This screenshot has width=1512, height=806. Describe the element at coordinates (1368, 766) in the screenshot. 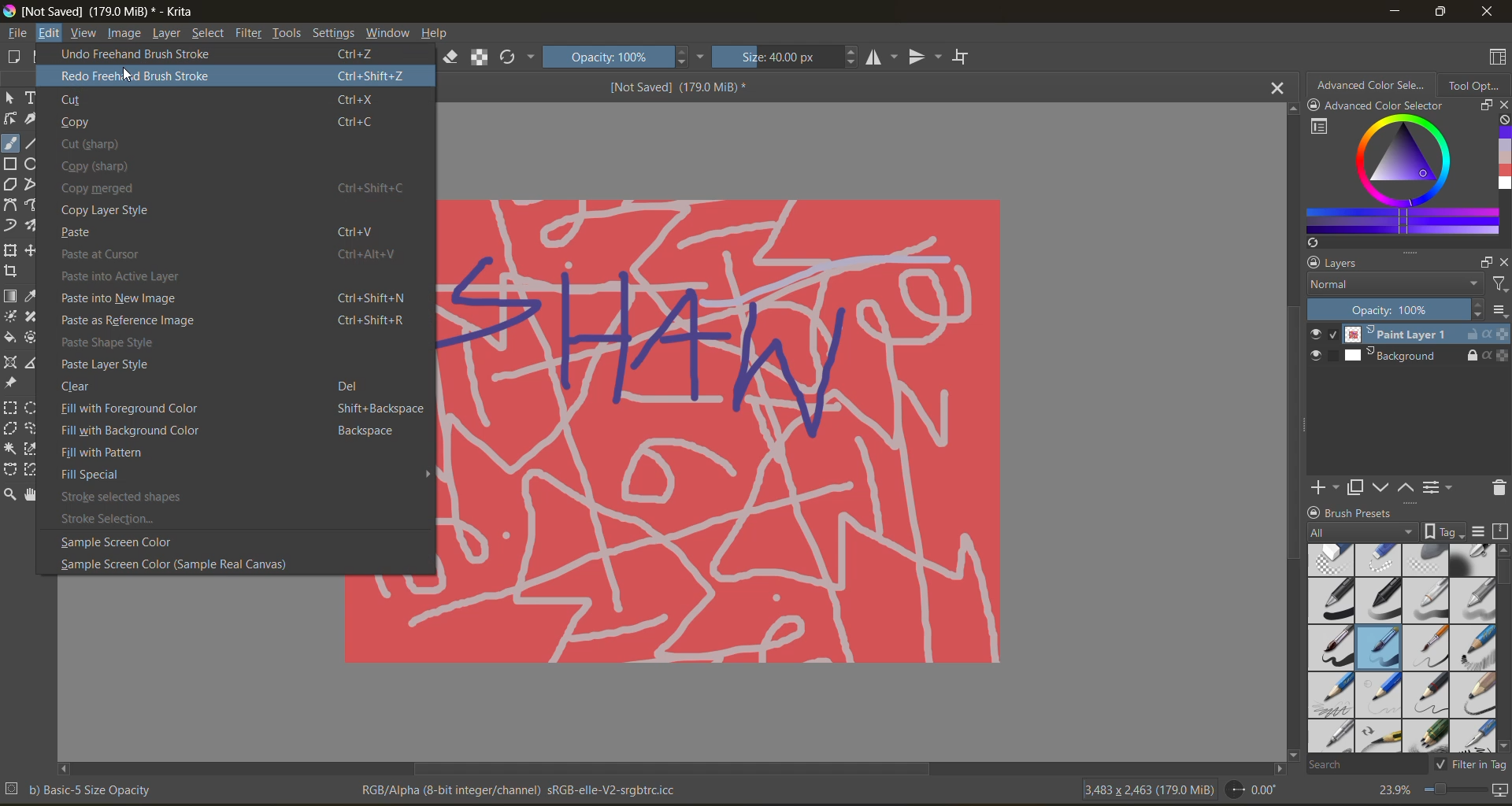

I see `search` at that location.